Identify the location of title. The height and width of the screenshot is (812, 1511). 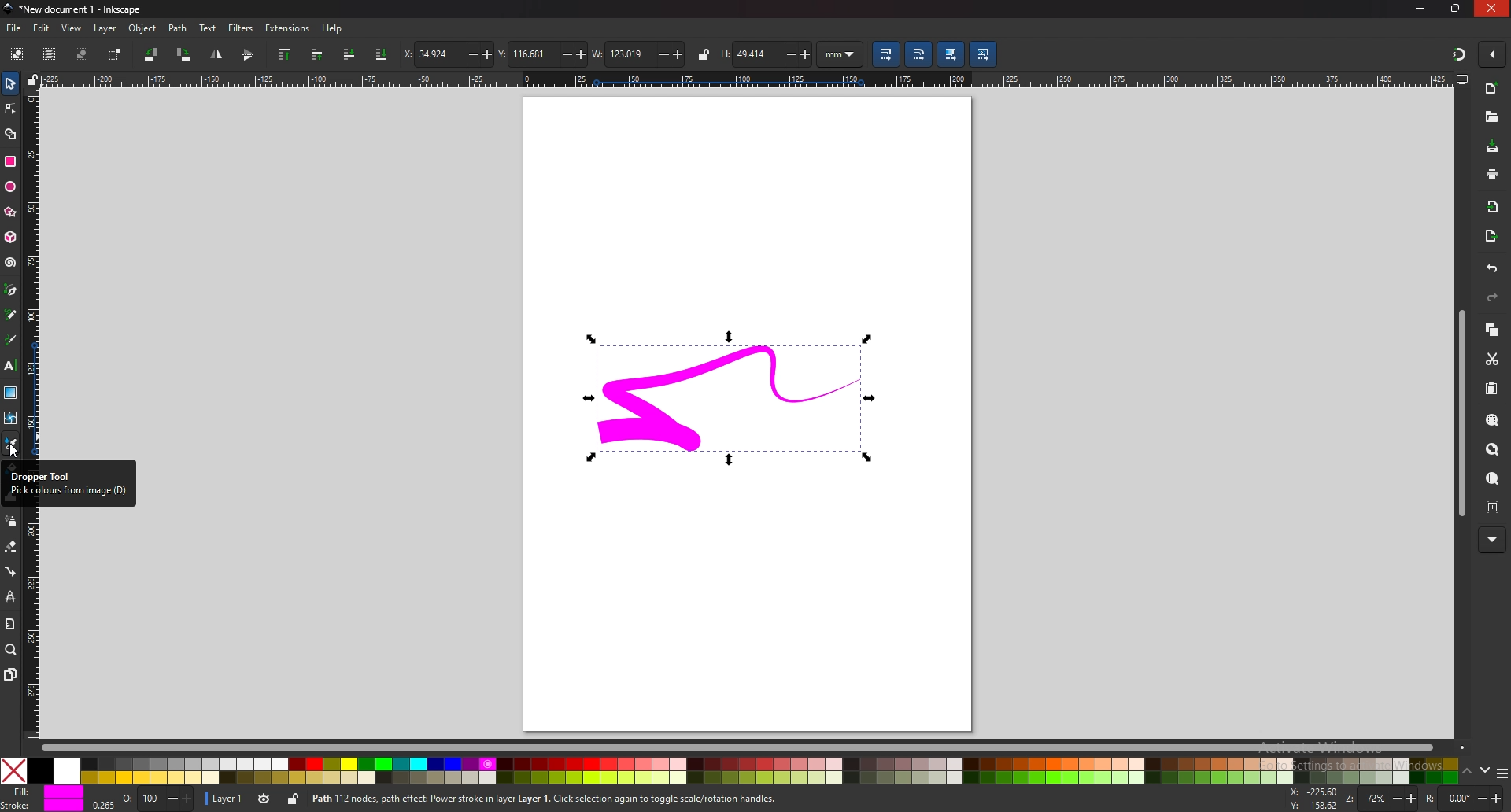
(76, 10).